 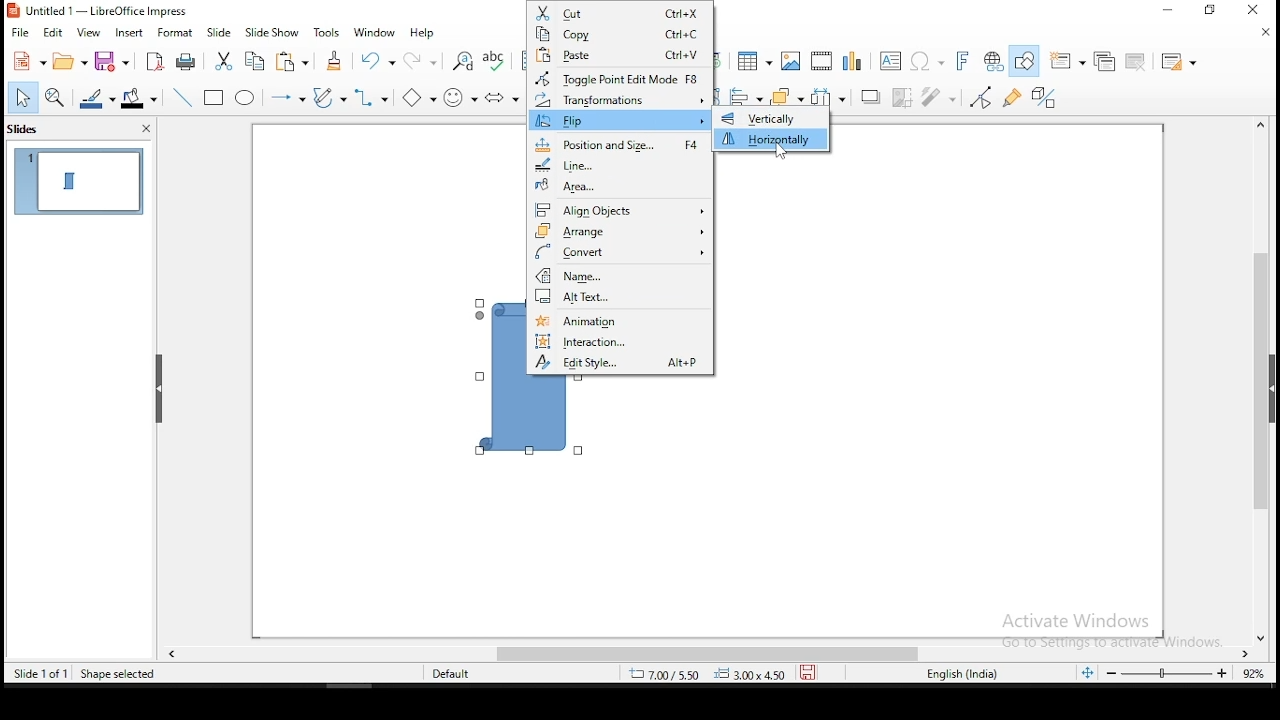 I want to click on animation, so click(x=621, y=319).